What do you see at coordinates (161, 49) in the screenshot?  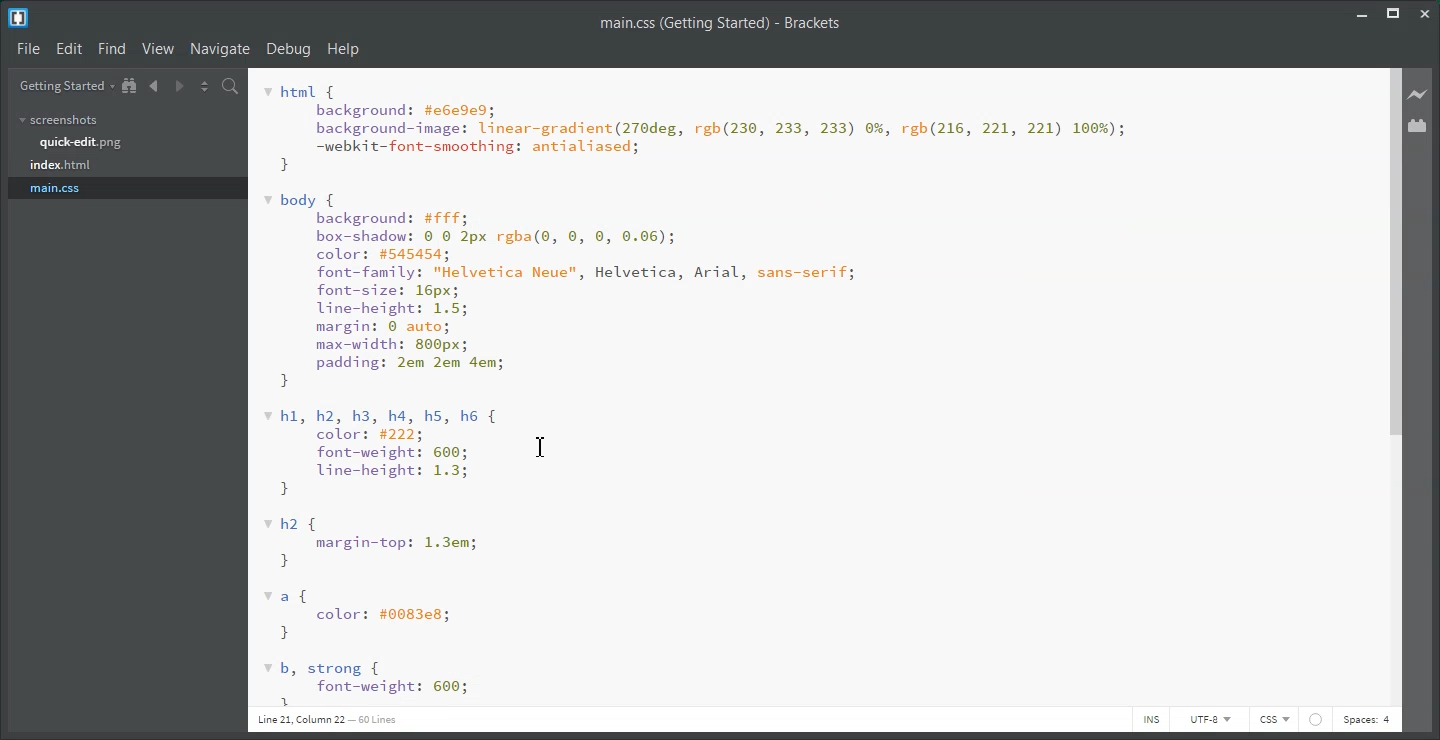 I see `View` at bounding box center [161, 49].